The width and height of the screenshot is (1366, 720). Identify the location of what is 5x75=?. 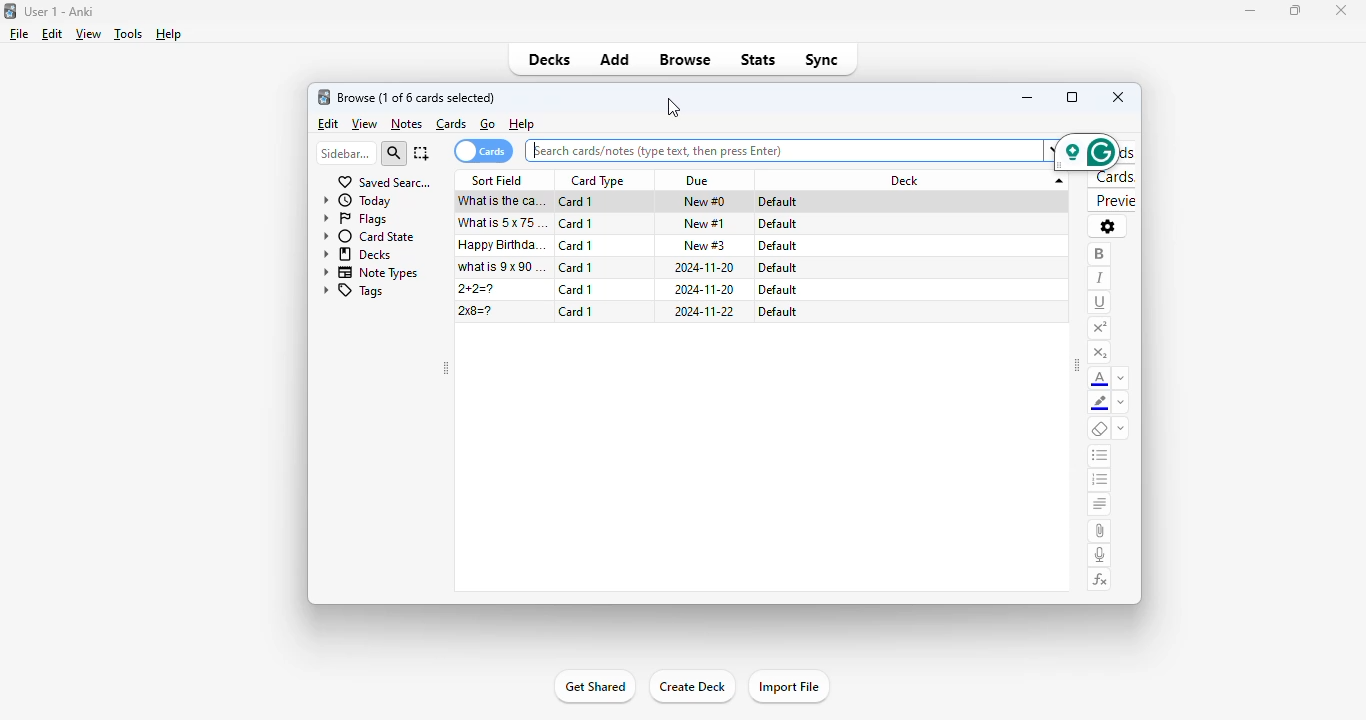
(504, 223).